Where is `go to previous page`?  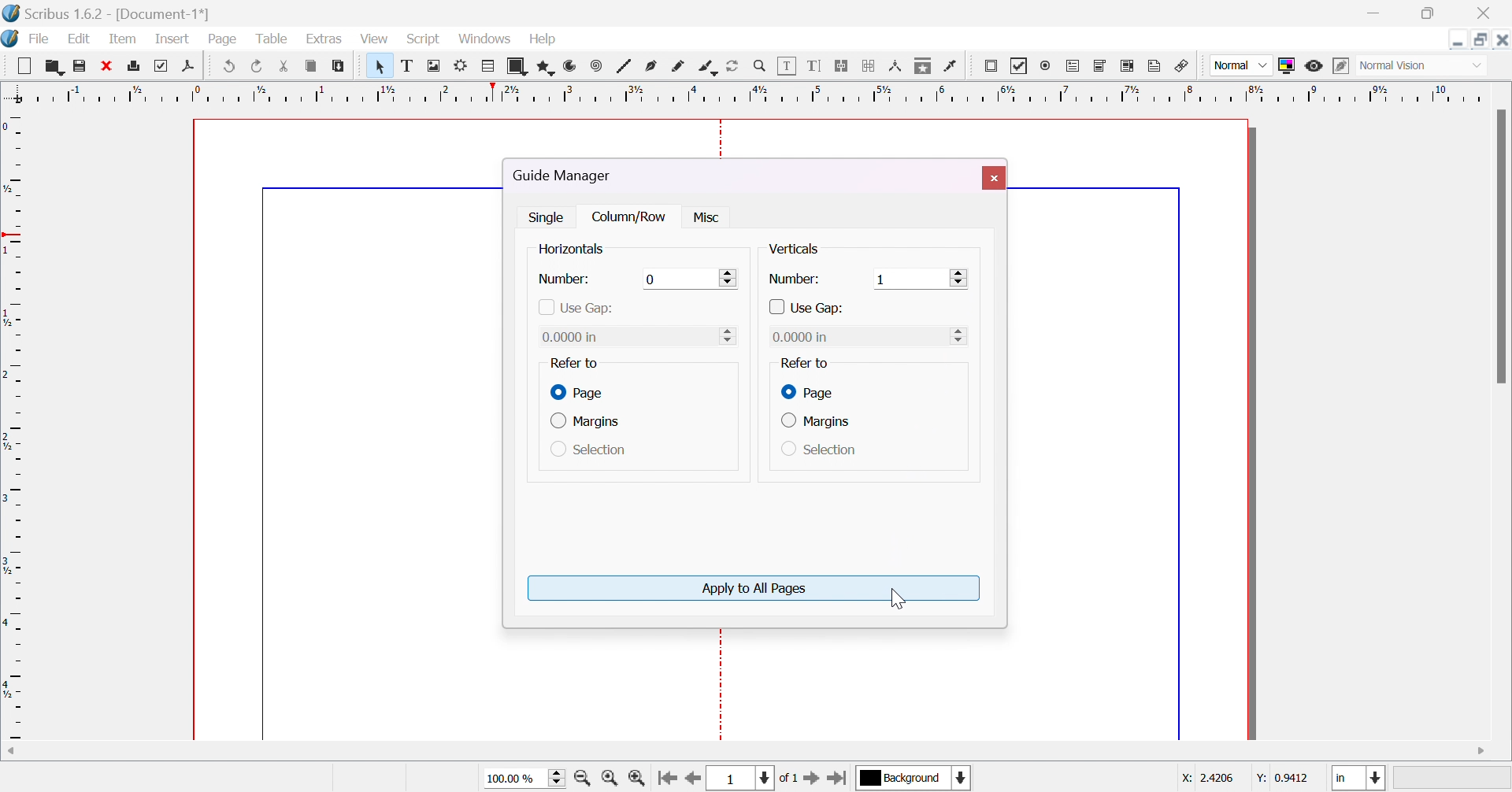
go to previous page is located at coordinates (693, 779).